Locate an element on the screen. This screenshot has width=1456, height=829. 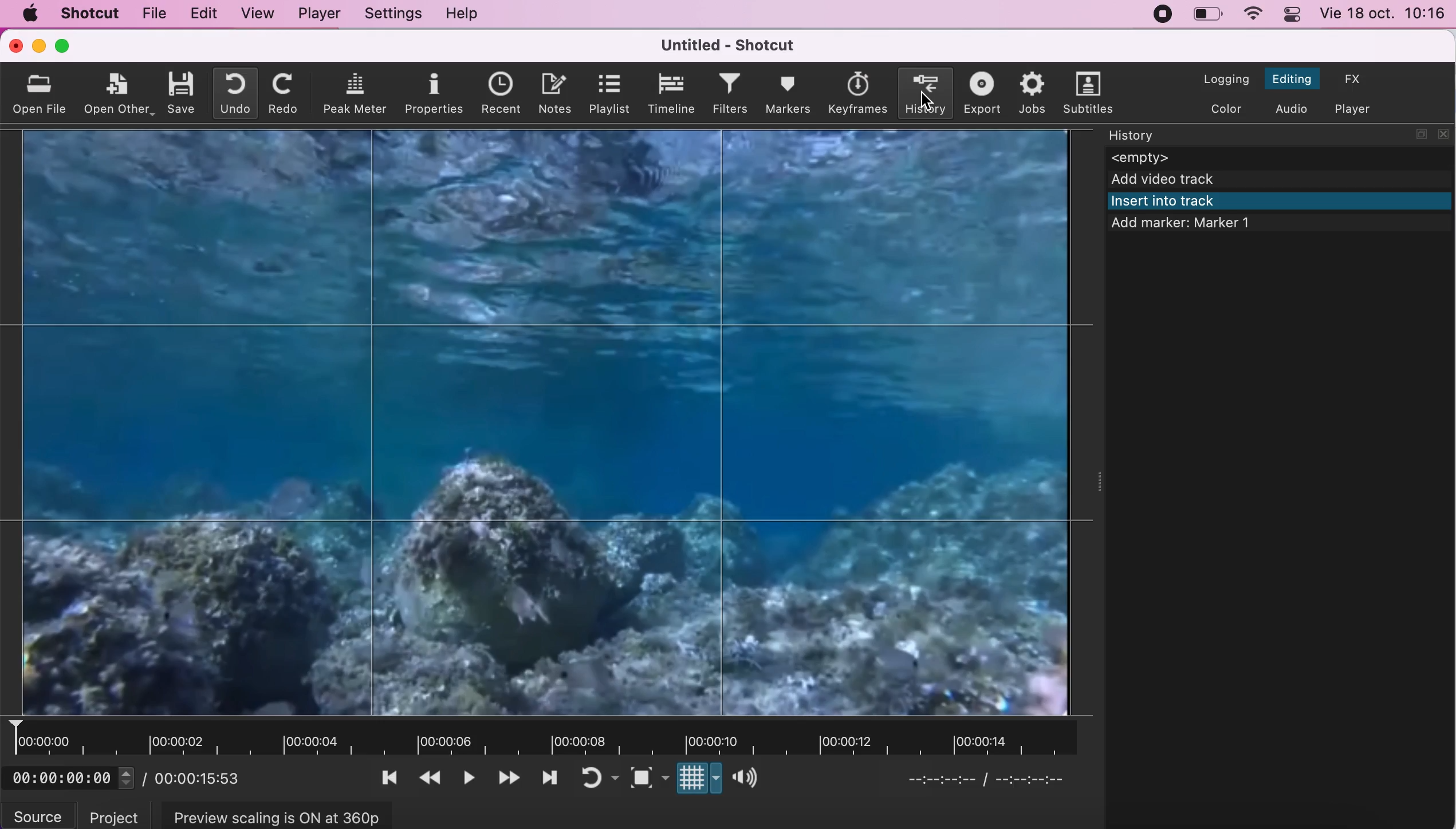
 clip is located at coordinates (539, 422).